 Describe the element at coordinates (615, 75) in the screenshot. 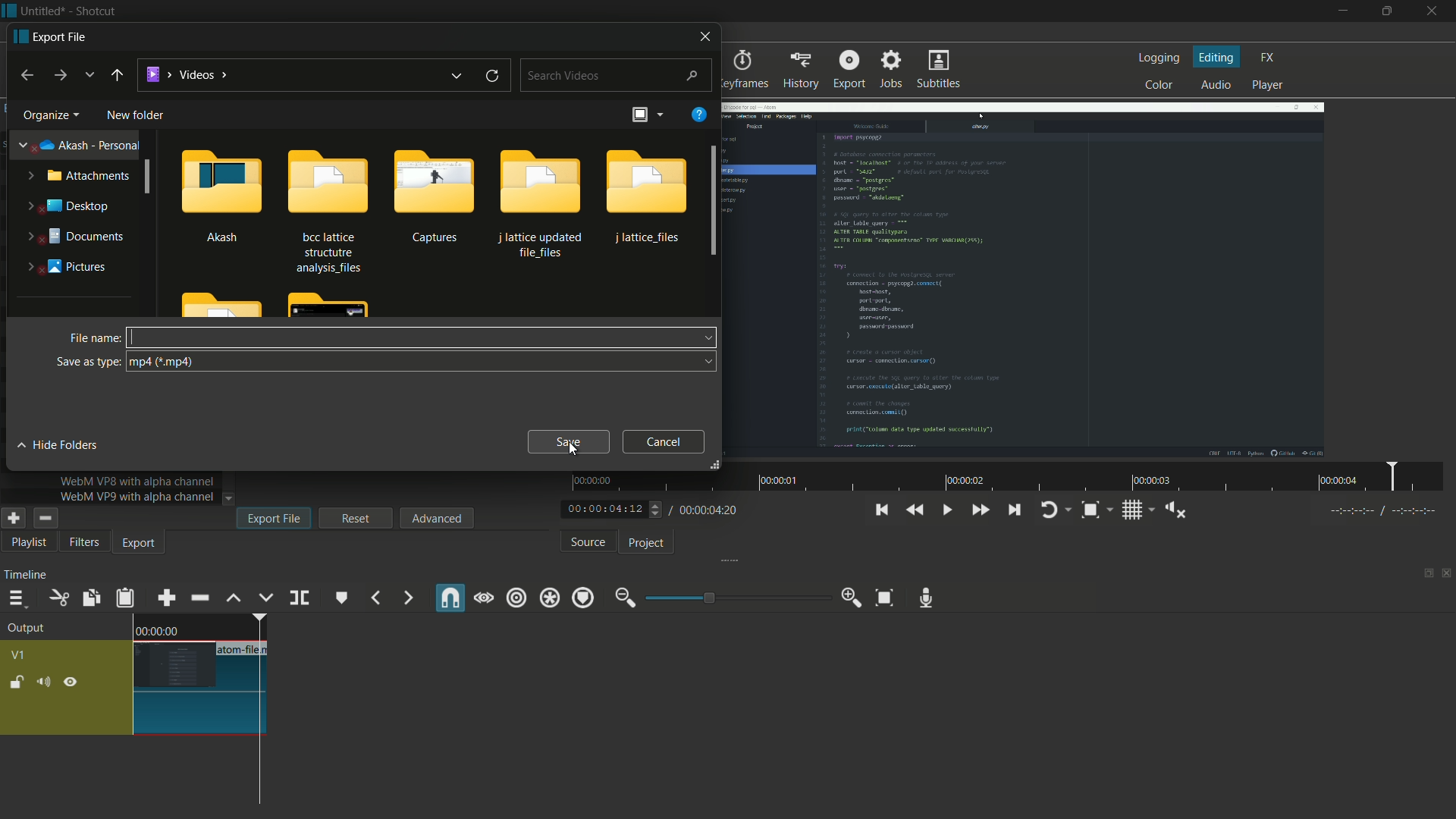

I see `search videos bar` at that location.